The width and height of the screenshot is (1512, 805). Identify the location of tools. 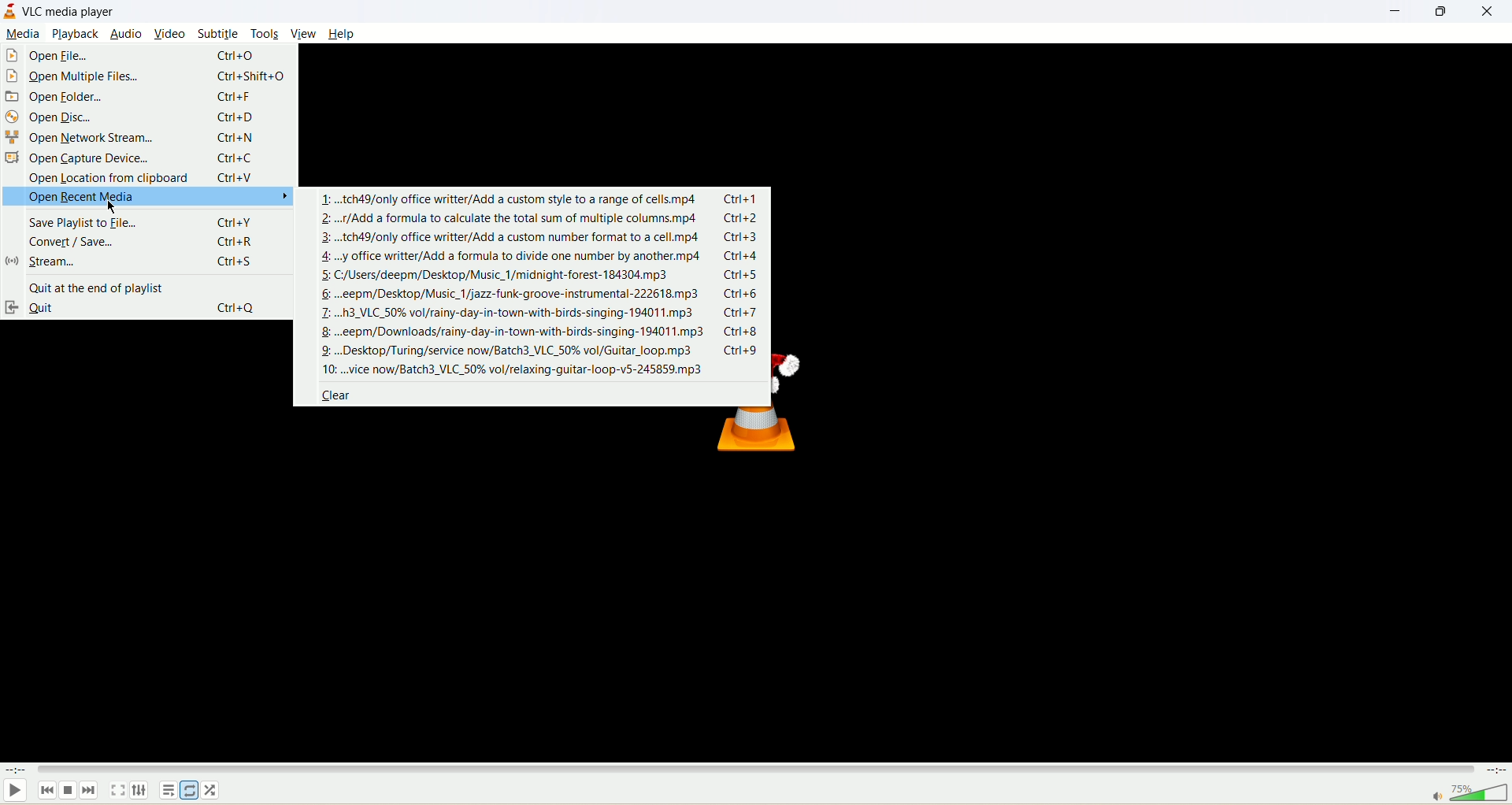
(265, 34).